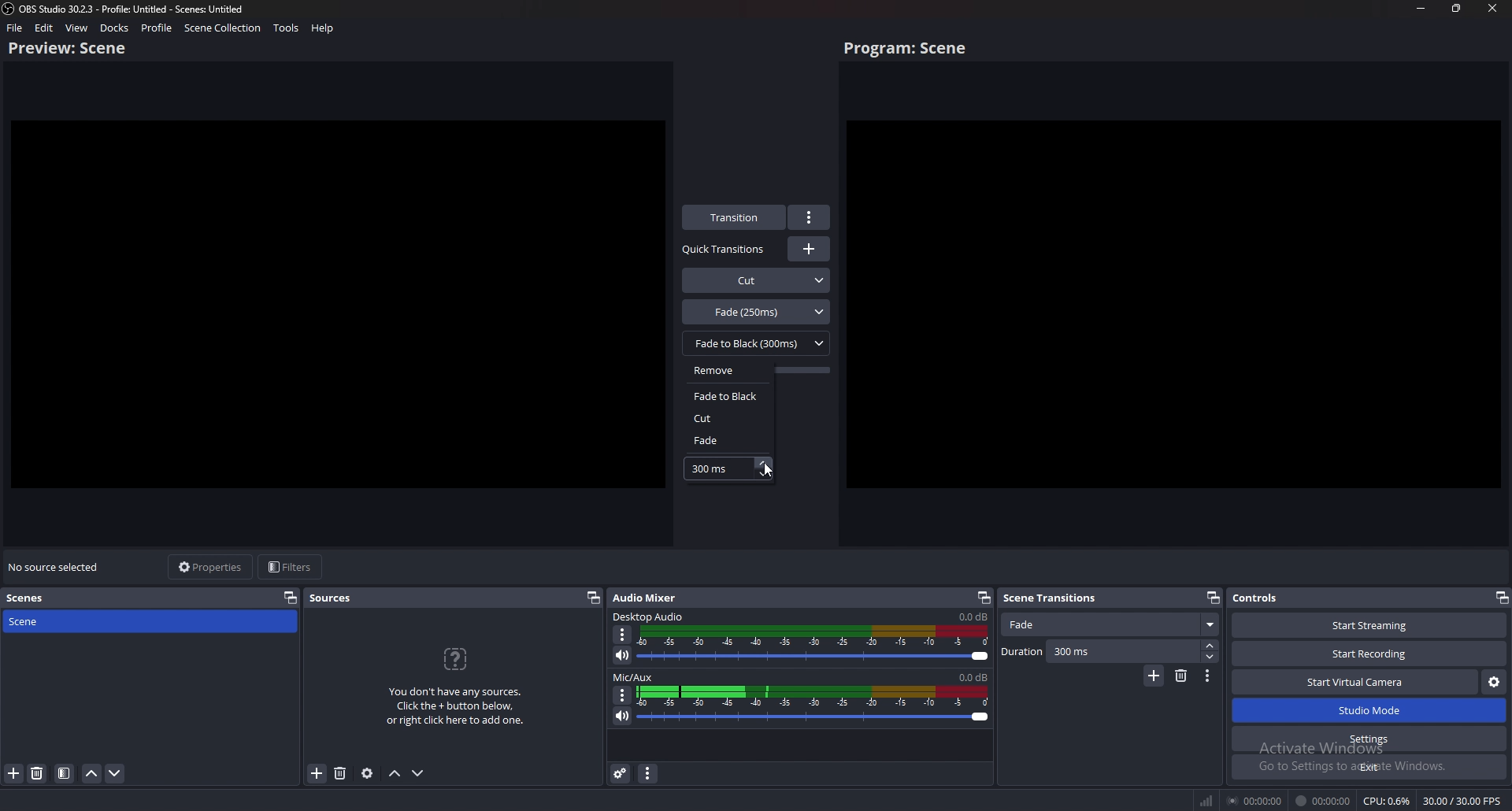  Describe the element at coordinates (158, 28) in the screenshot. I see `profile` at that location.